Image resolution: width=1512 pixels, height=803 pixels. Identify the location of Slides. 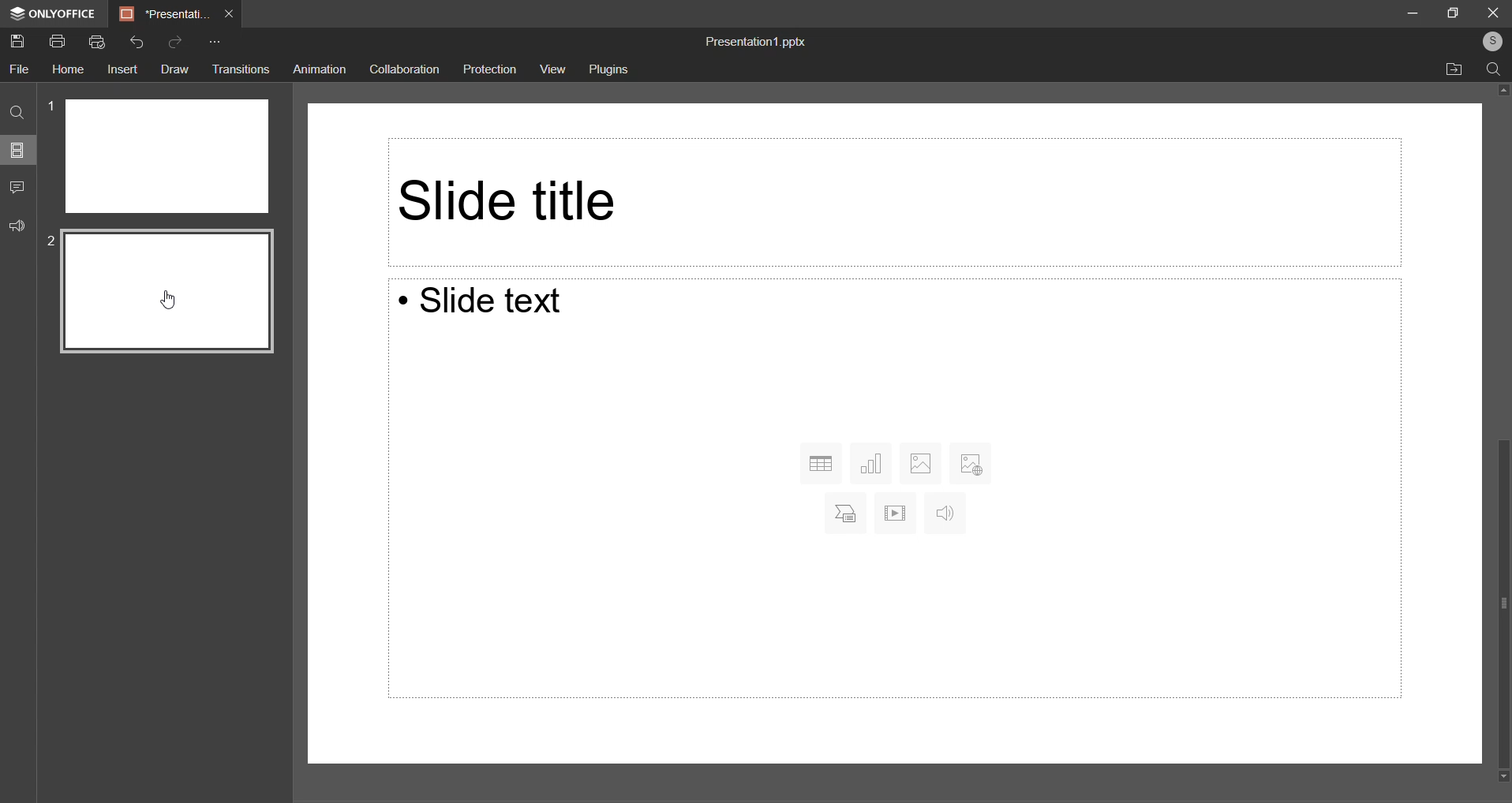
(18, 153).